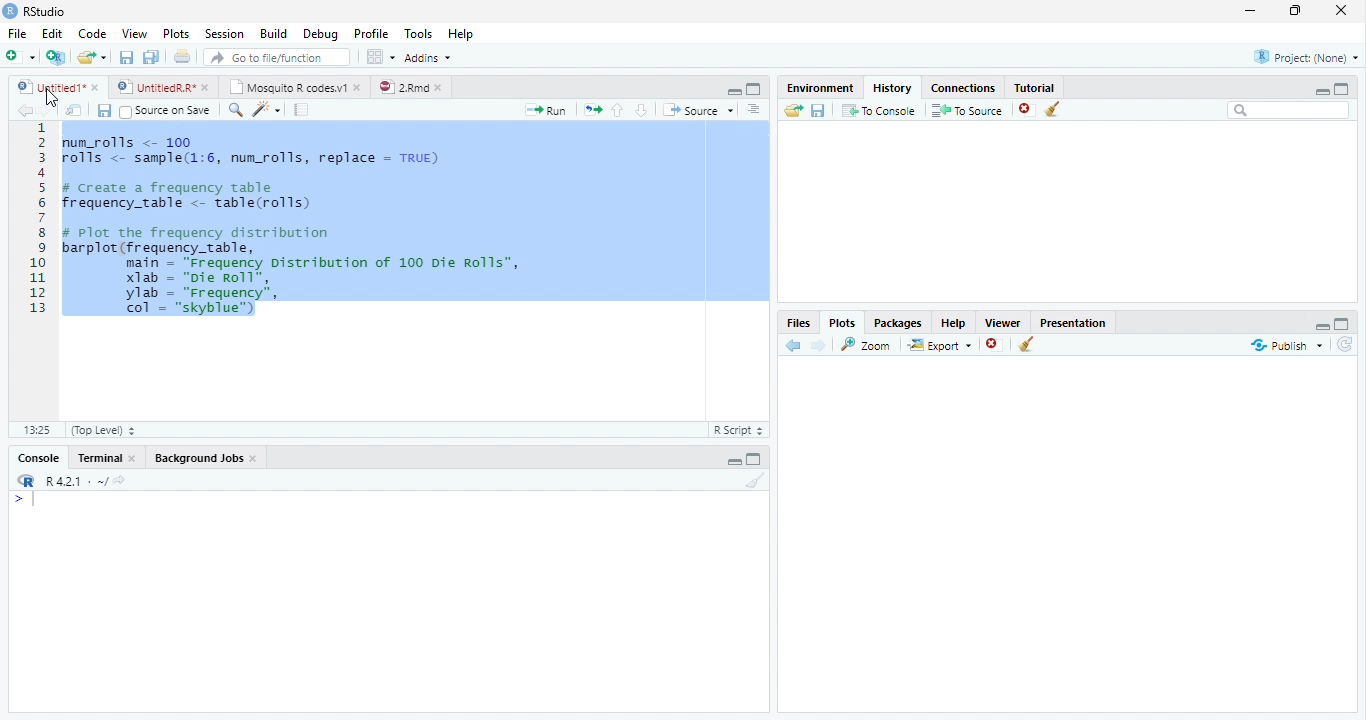  I want to click on T0 Console, so click(878, 109).